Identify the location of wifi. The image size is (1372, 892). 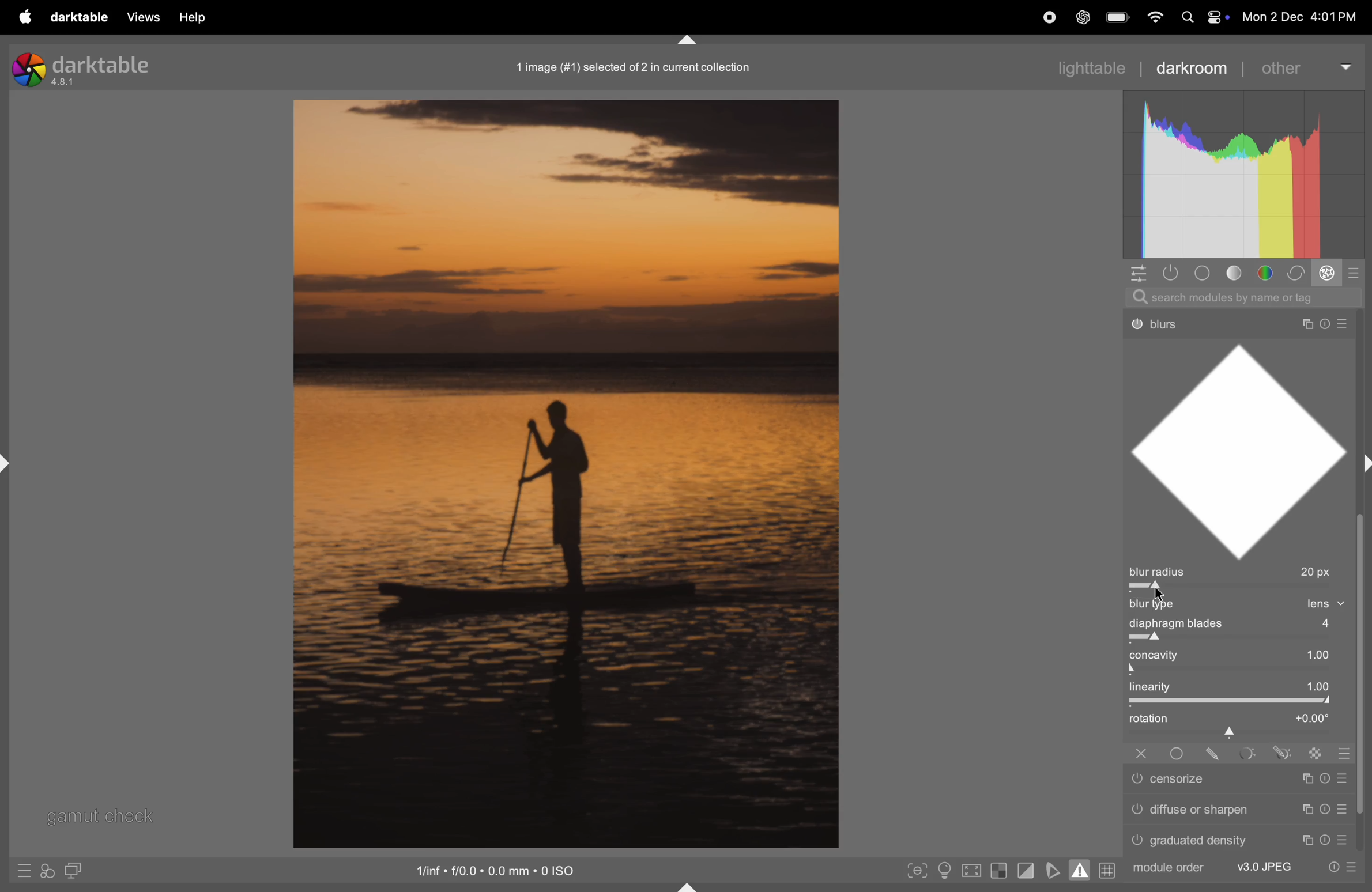
(1155, 17).